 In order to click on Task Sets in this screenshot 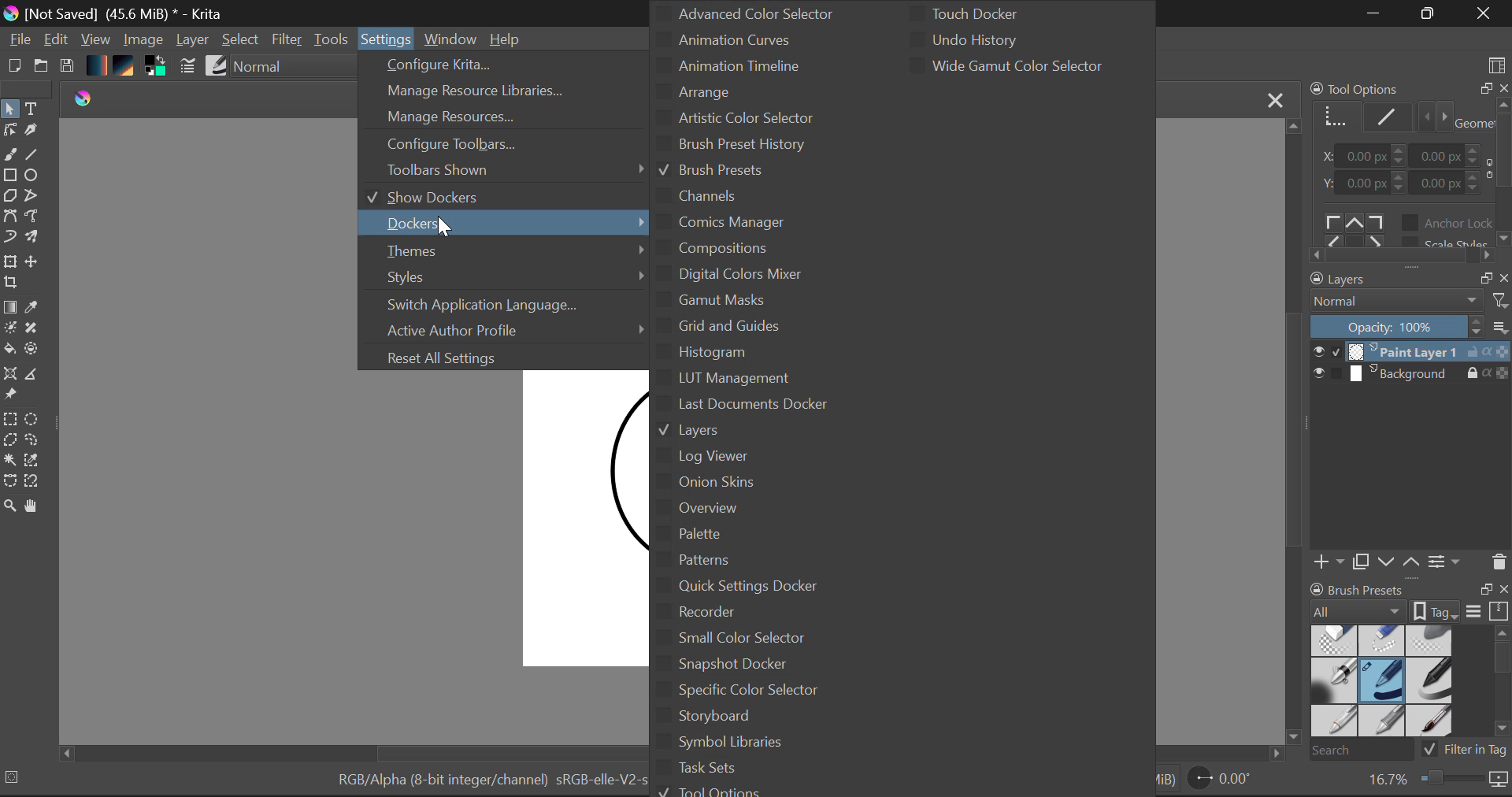, I will do `click(764, 770)`.